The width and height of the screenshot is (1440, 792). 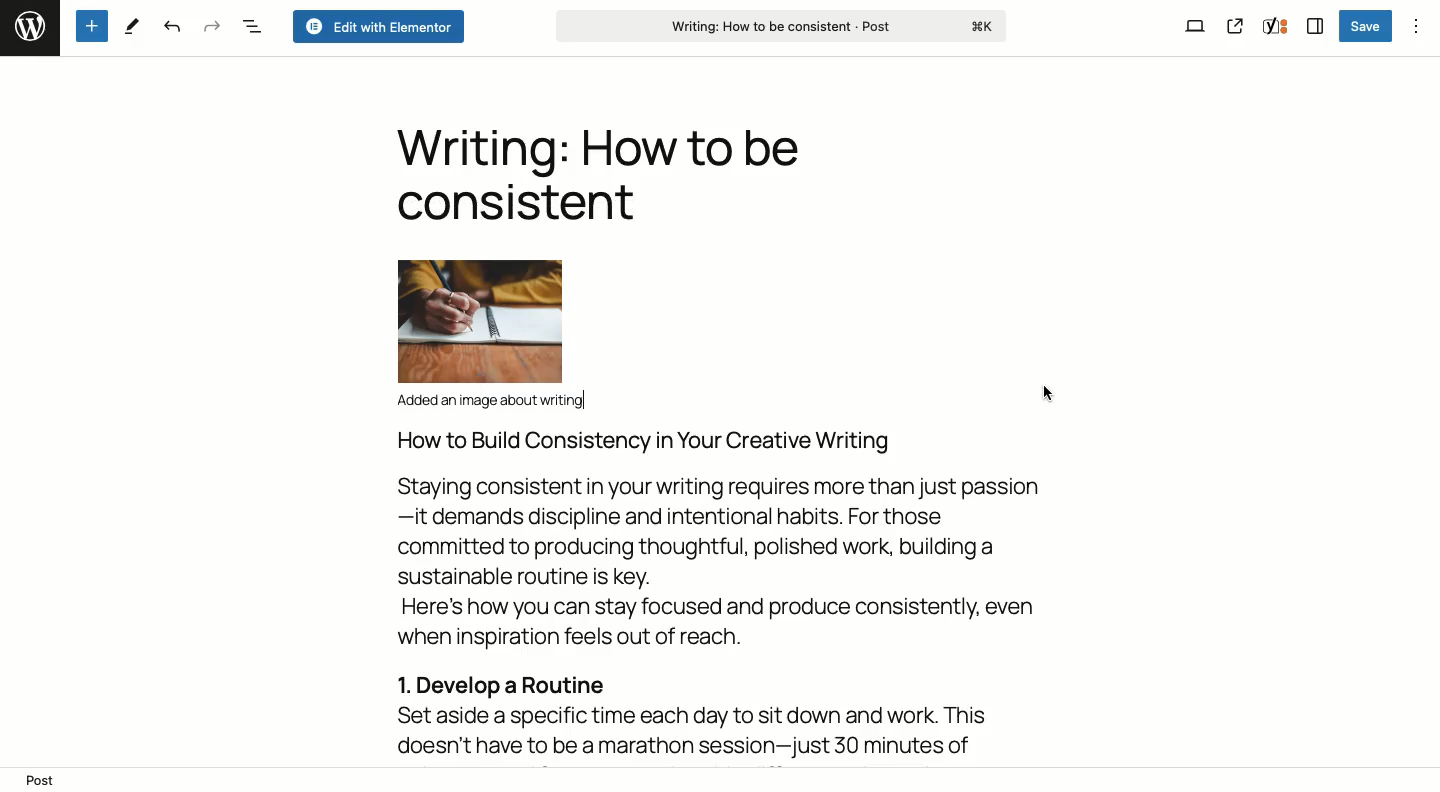 What do you see at coordinates (784, 27) in the screenshot?
I see `Writing: How to be consistent - Post ` at bounding box center [784, 27].